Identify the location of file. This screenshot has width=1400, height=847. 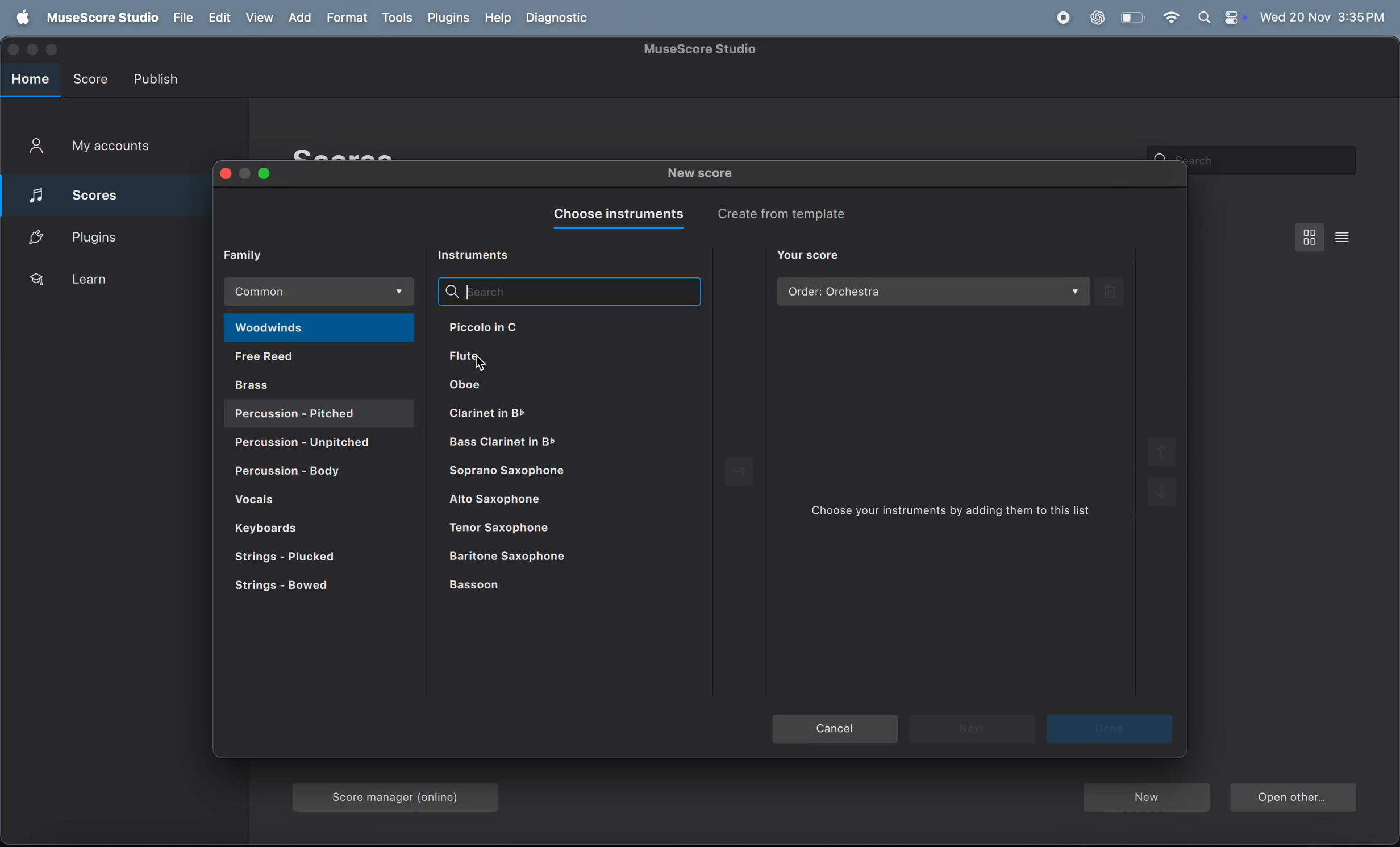
(181, 18).